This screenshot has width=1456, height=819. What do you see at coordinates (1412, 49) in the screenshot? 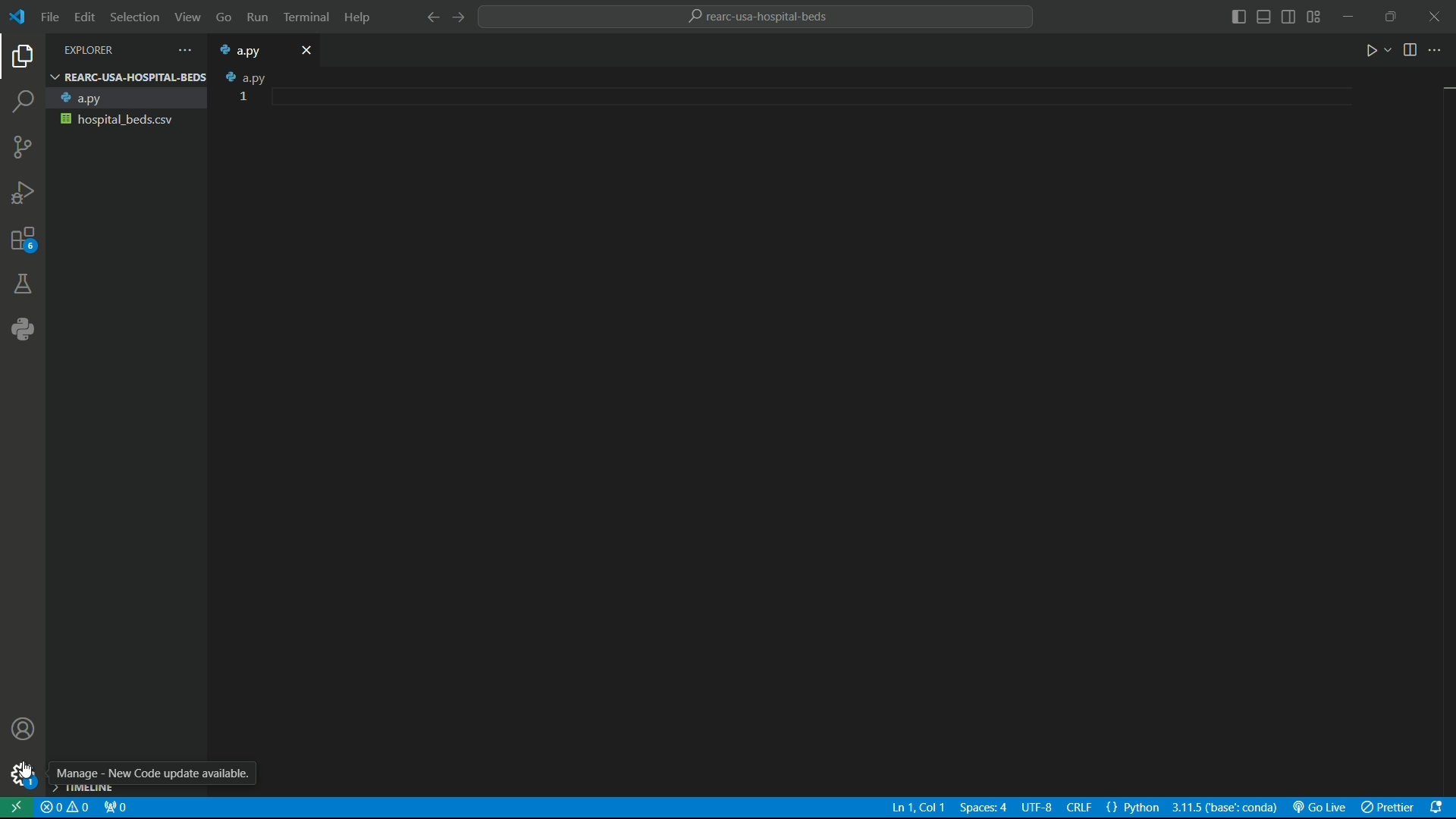
I see `split editor right` at bounding box center [1412, 49].